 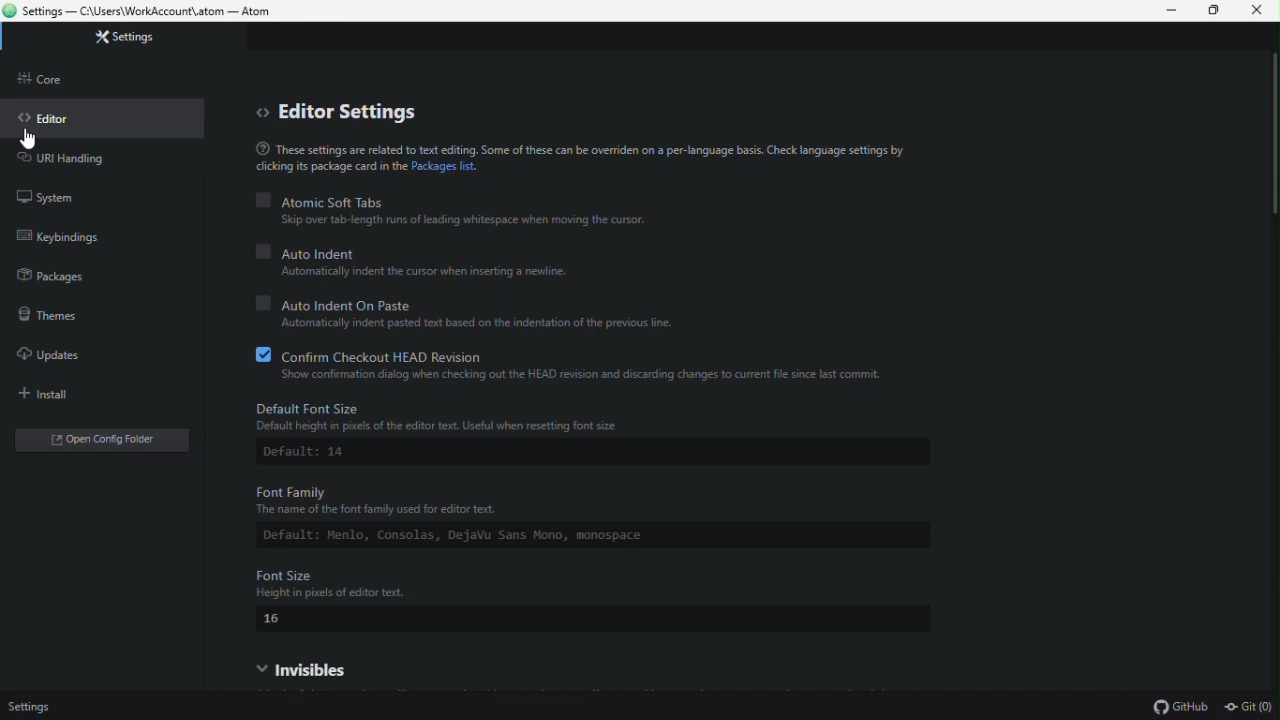 What do you see at coordinates (493, 537) in the screenshot?
I see `Default: Menlo, Consolas, DejaVu Sans Mono, monospace` at bounding box center [493, 537].